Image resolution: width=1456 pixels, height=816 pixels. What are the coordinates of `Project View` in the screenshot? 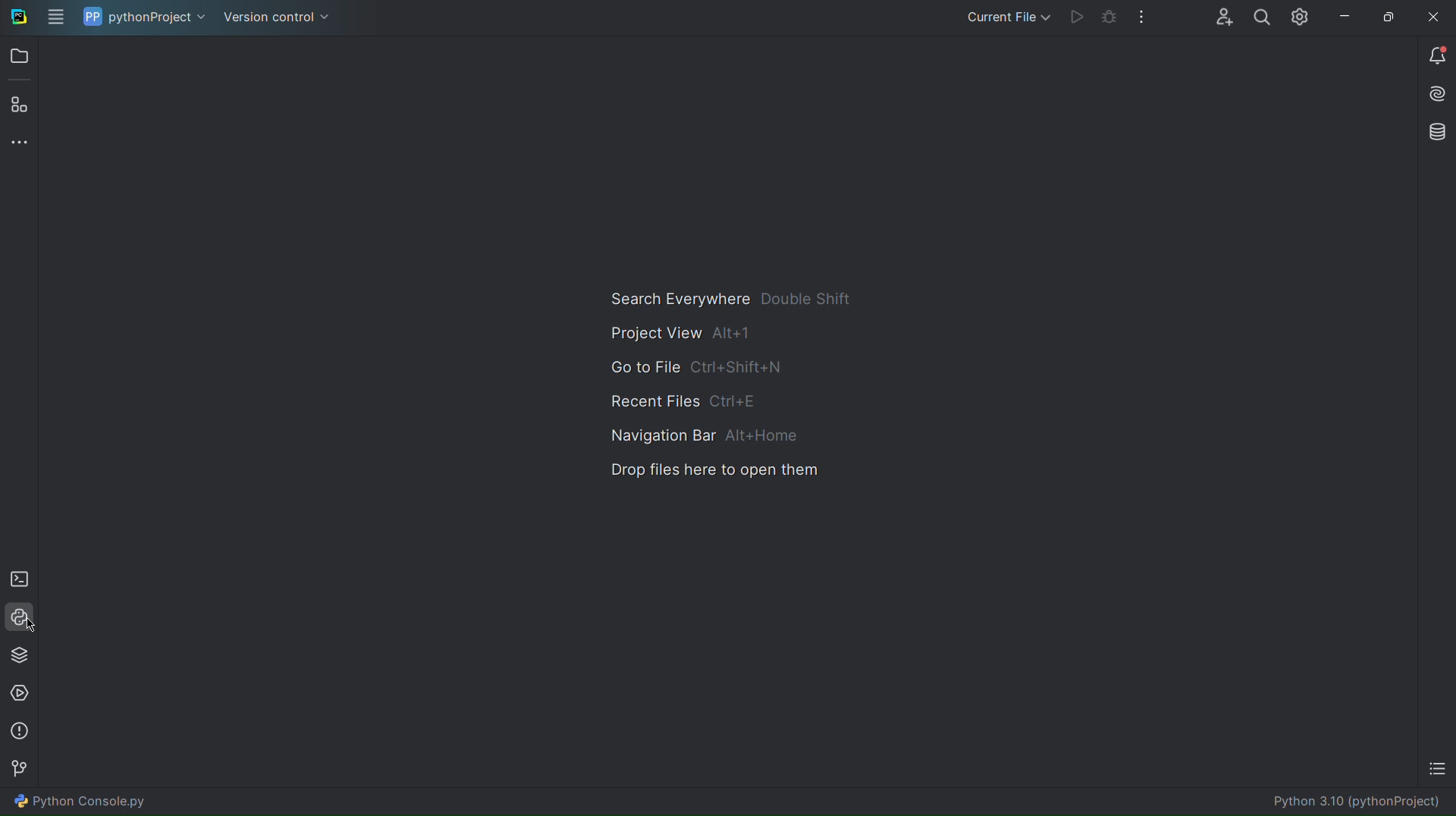 It's located at (679, 334).